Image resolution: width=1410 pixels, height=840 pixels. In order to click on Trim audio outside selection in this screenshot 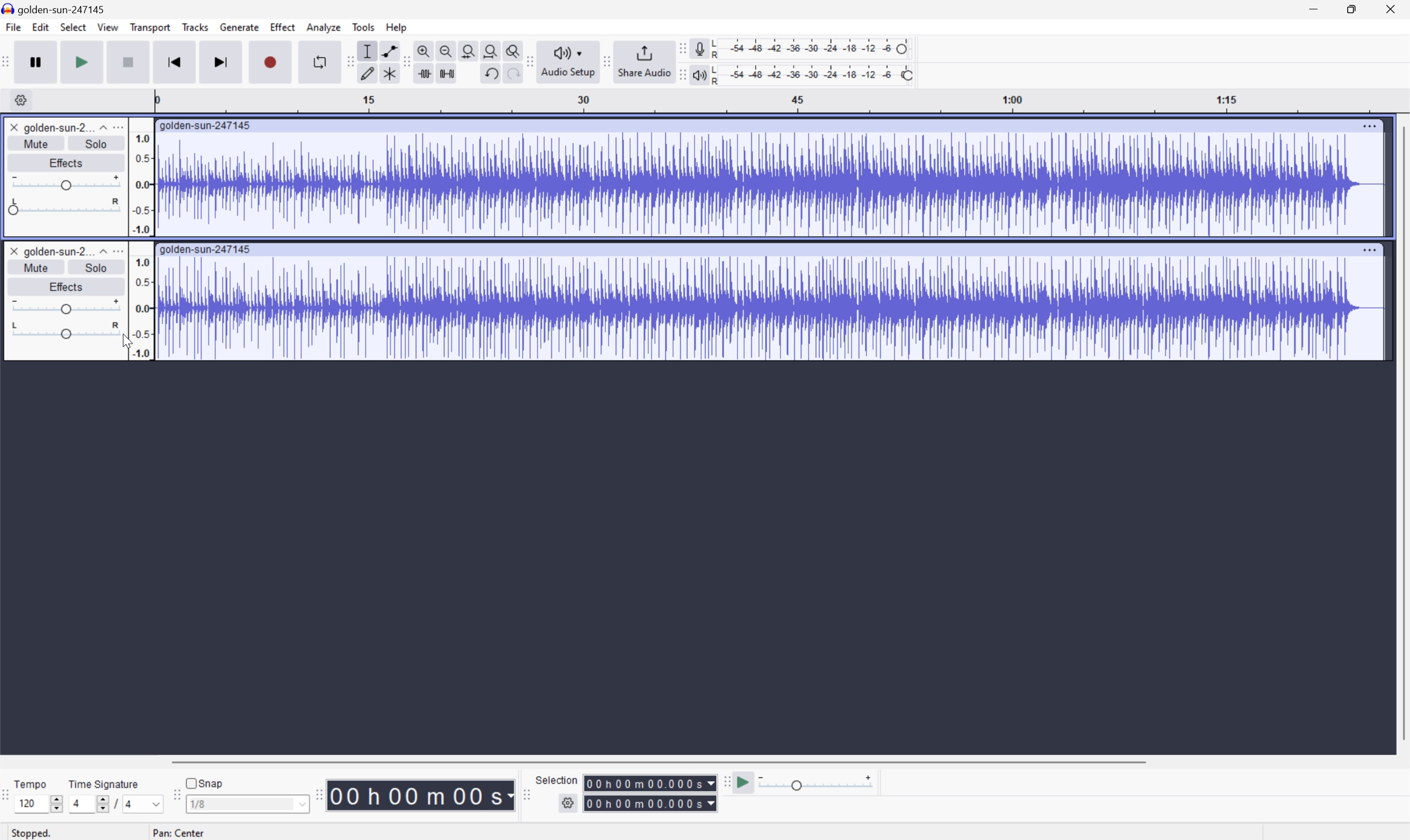, I will do `click(424, 74)`.